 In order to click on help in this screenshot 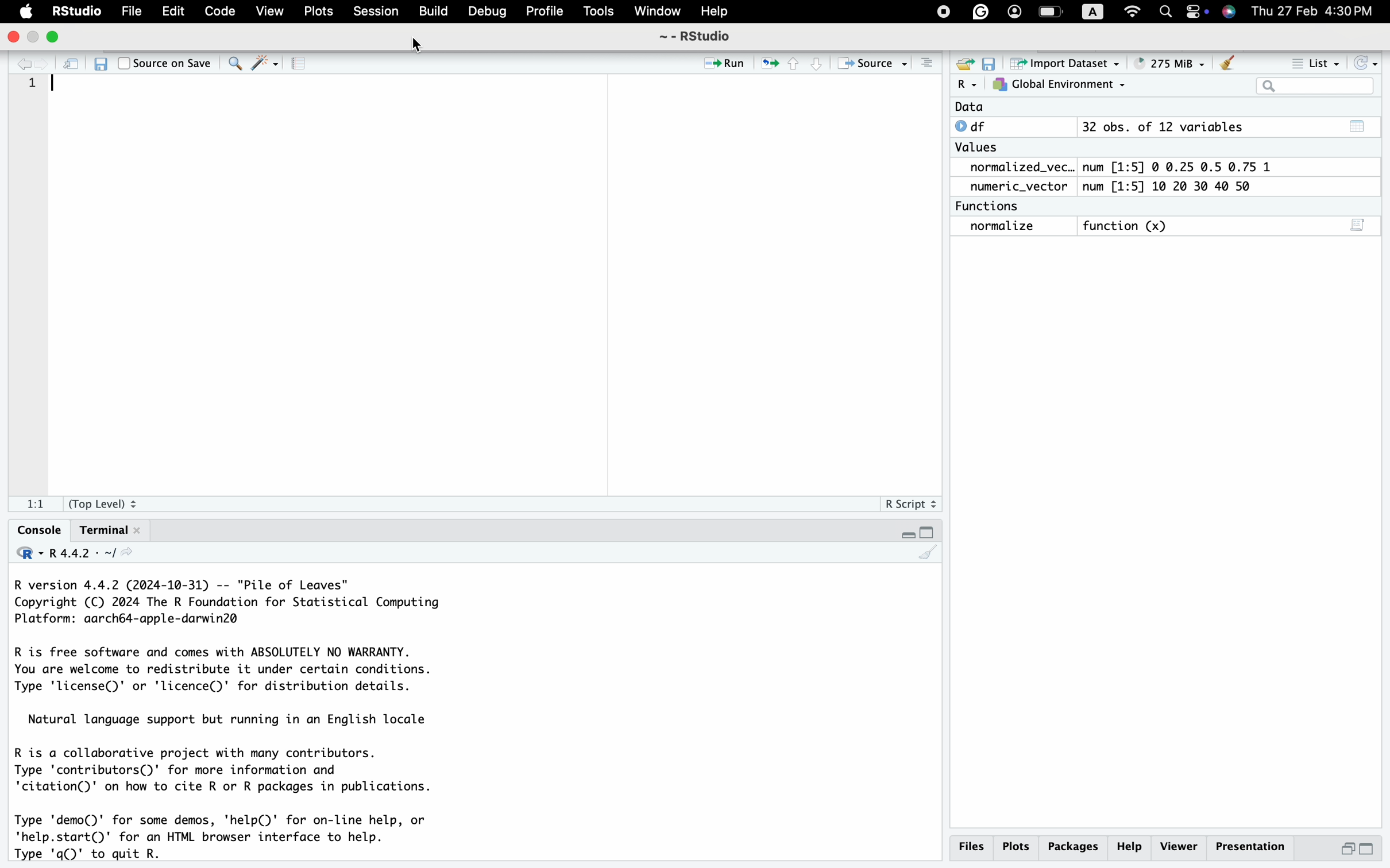, I will do `click(711, 10)`.